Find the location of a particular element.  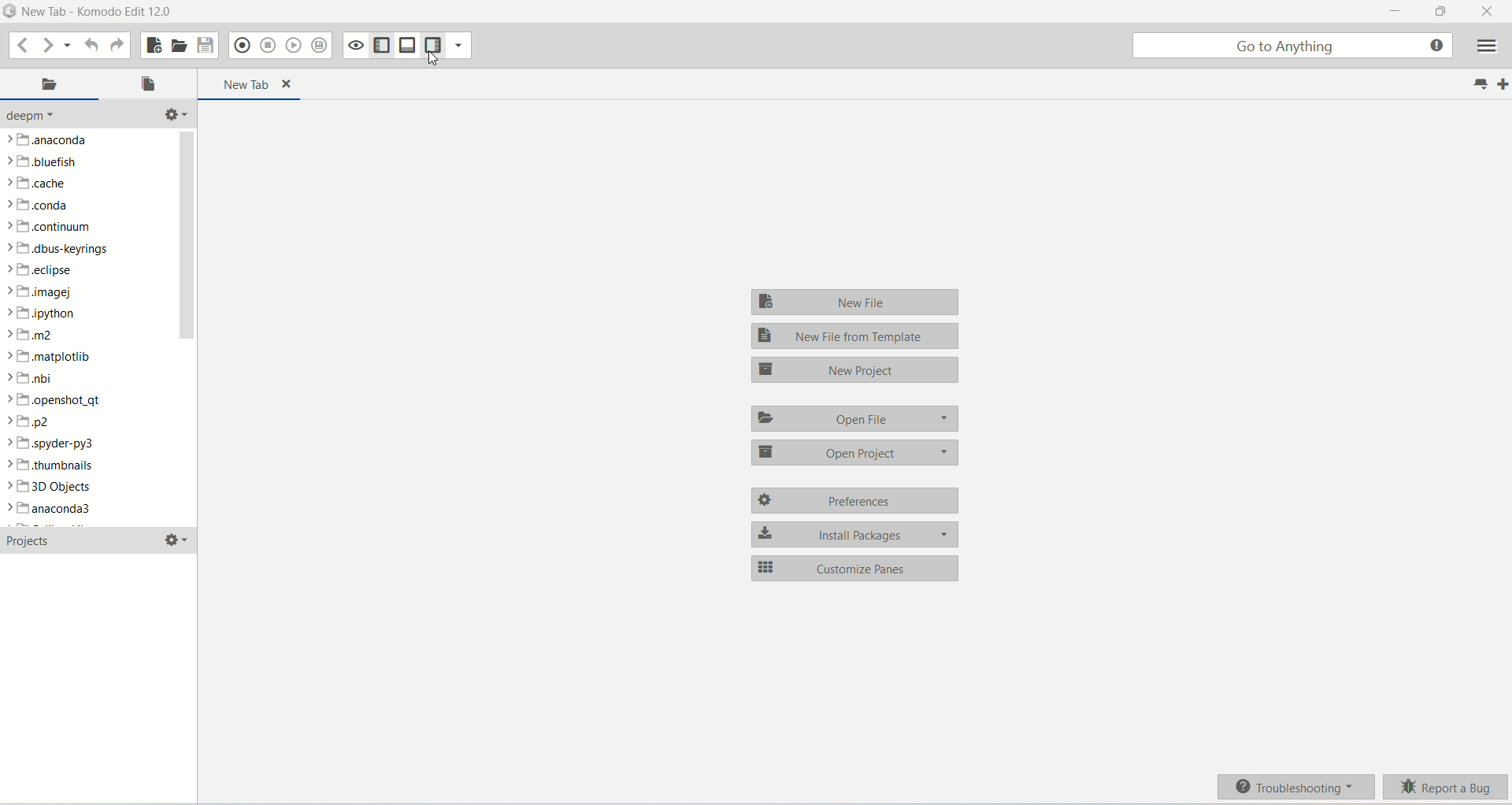

troubleshooting is located at coordinates (1296, 787).